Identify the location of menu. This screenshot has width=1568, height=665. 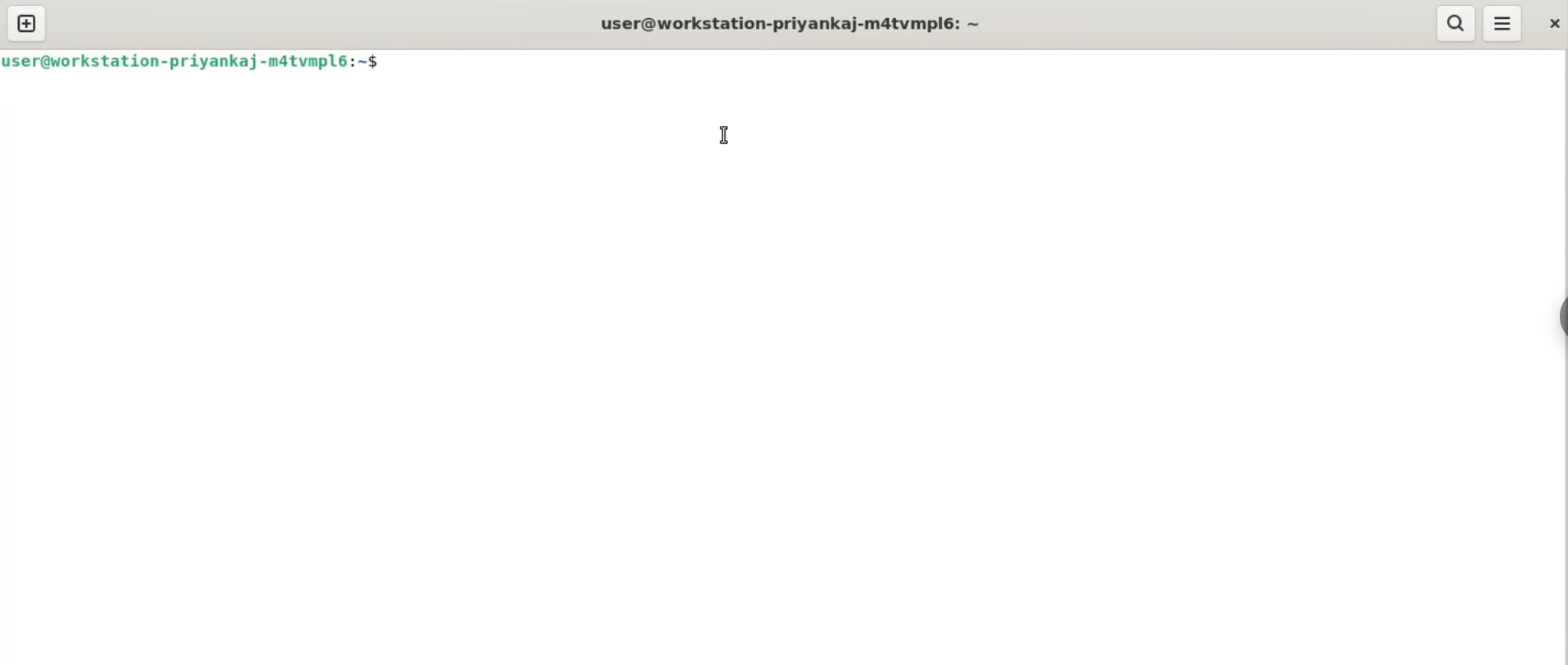
(1503, 24).